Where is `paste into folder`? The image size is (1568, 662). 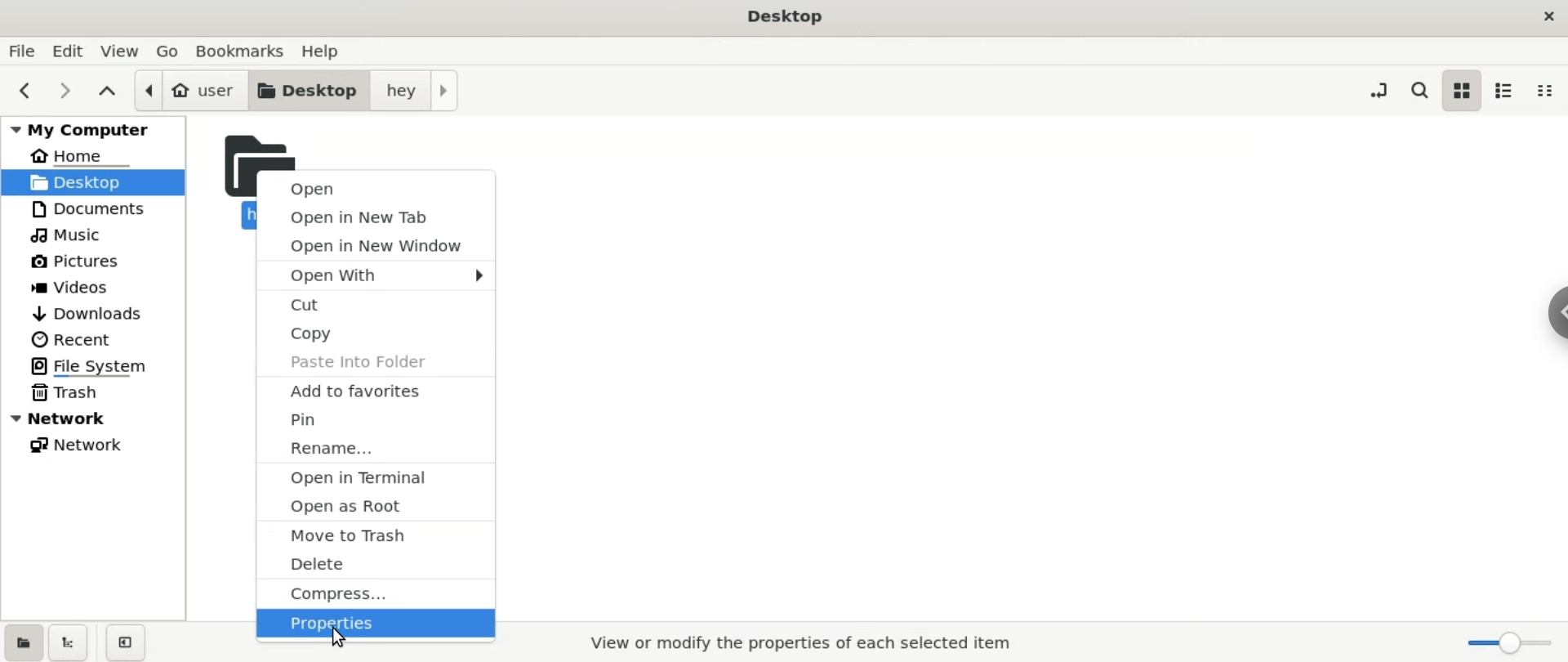 paste into folder is located at coordinates (376, 362).